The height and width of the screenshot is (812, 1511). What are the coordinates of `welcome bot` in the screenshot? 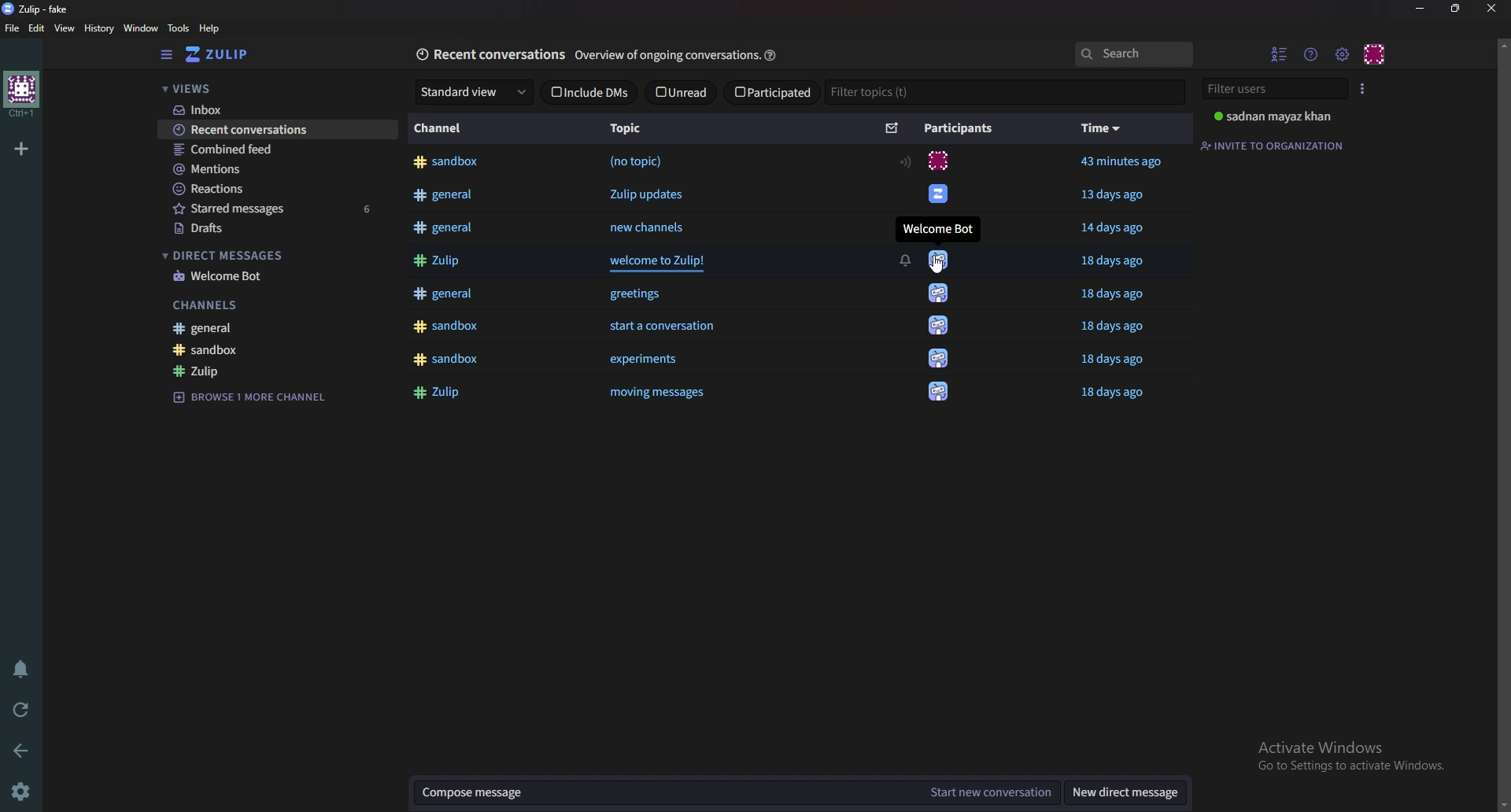 It's located at (273, 276).